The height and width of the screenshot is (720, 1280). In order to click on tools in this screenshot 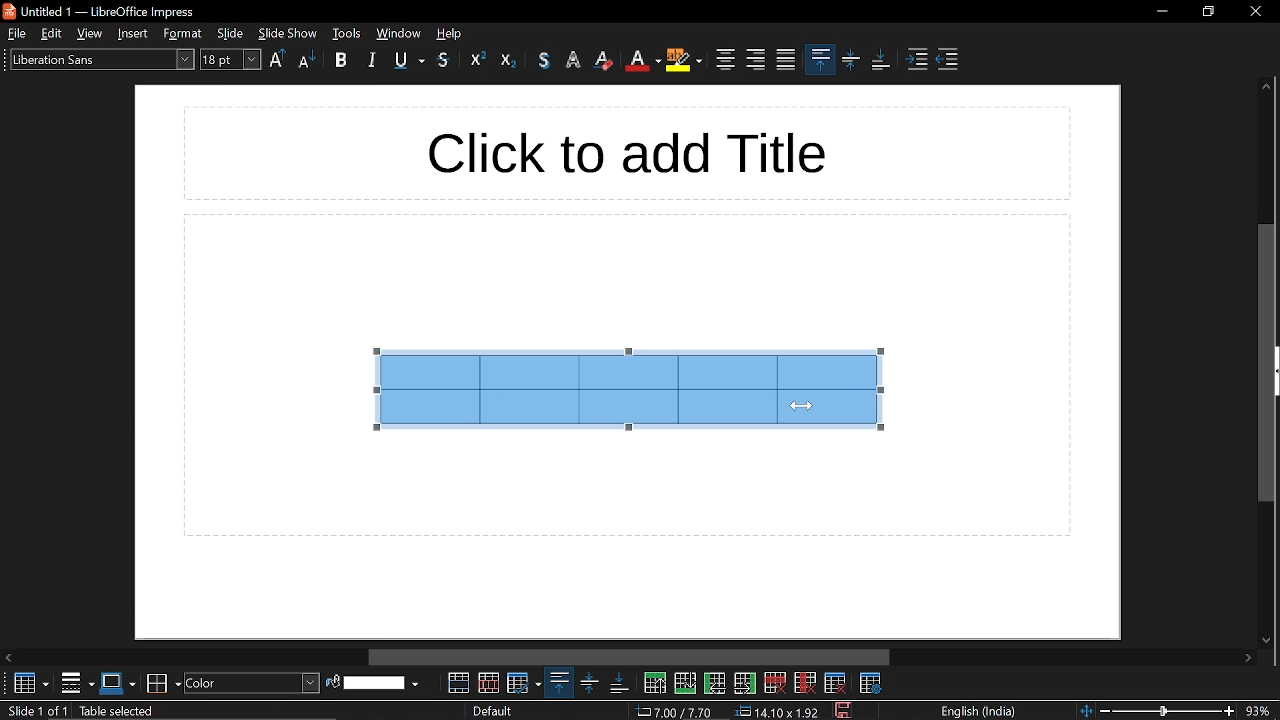, I will do `click(348, 34)`.